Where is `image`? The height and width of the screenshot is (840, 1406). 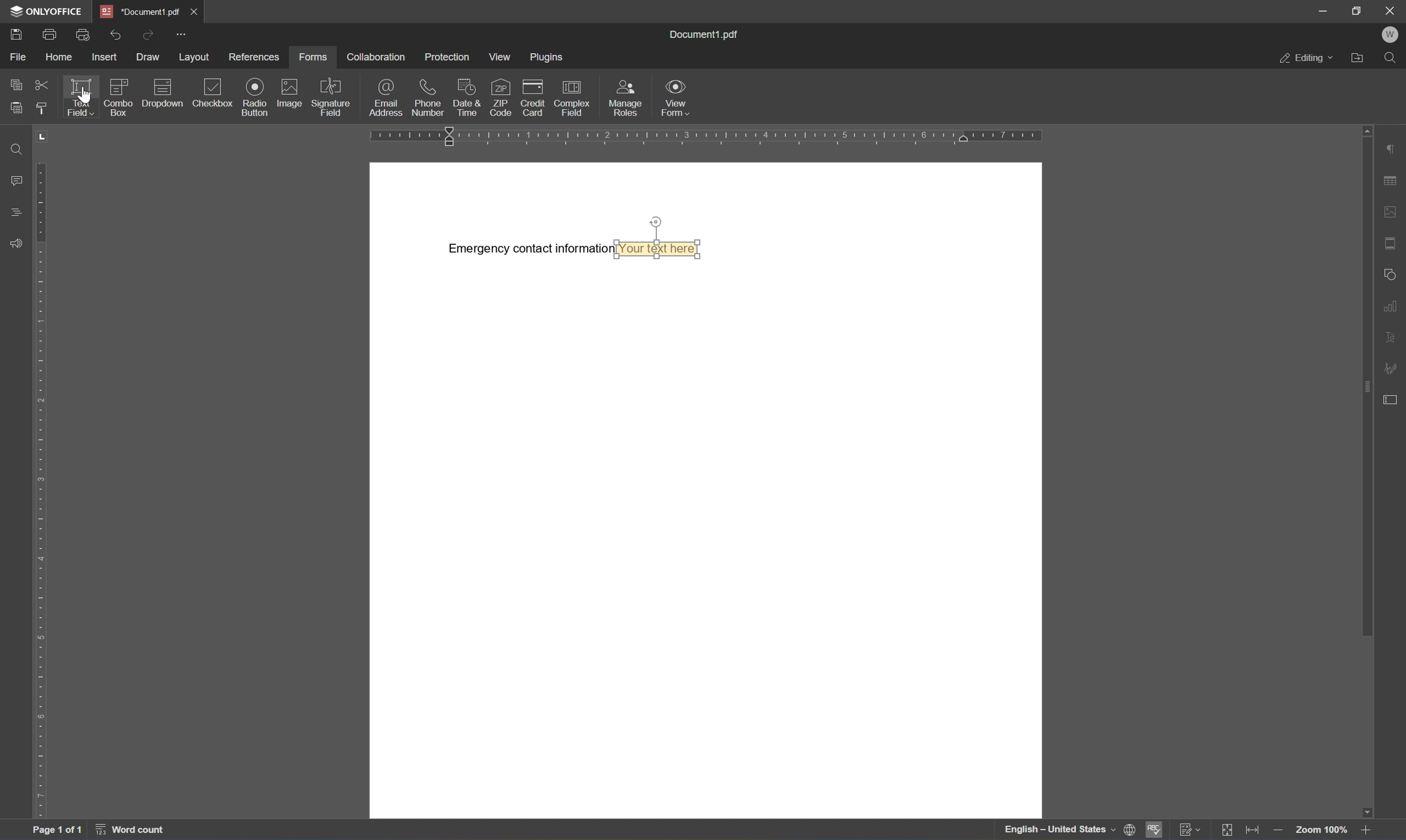
image is located at coordinates (289, 97).